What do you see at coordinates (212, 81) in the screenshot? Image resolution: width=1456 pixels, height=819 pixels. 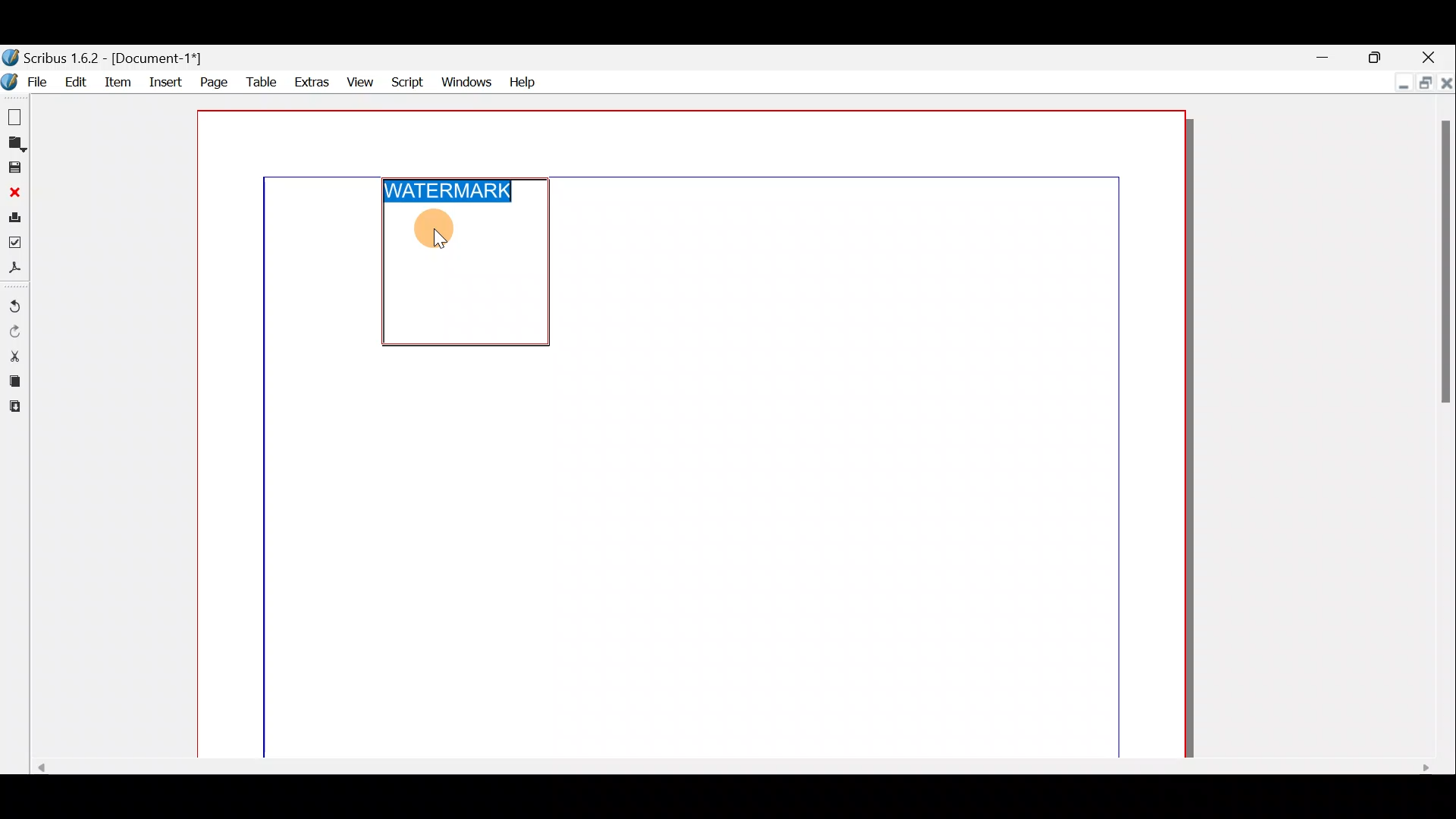 I see `Page` at bounding box center [212, 81].